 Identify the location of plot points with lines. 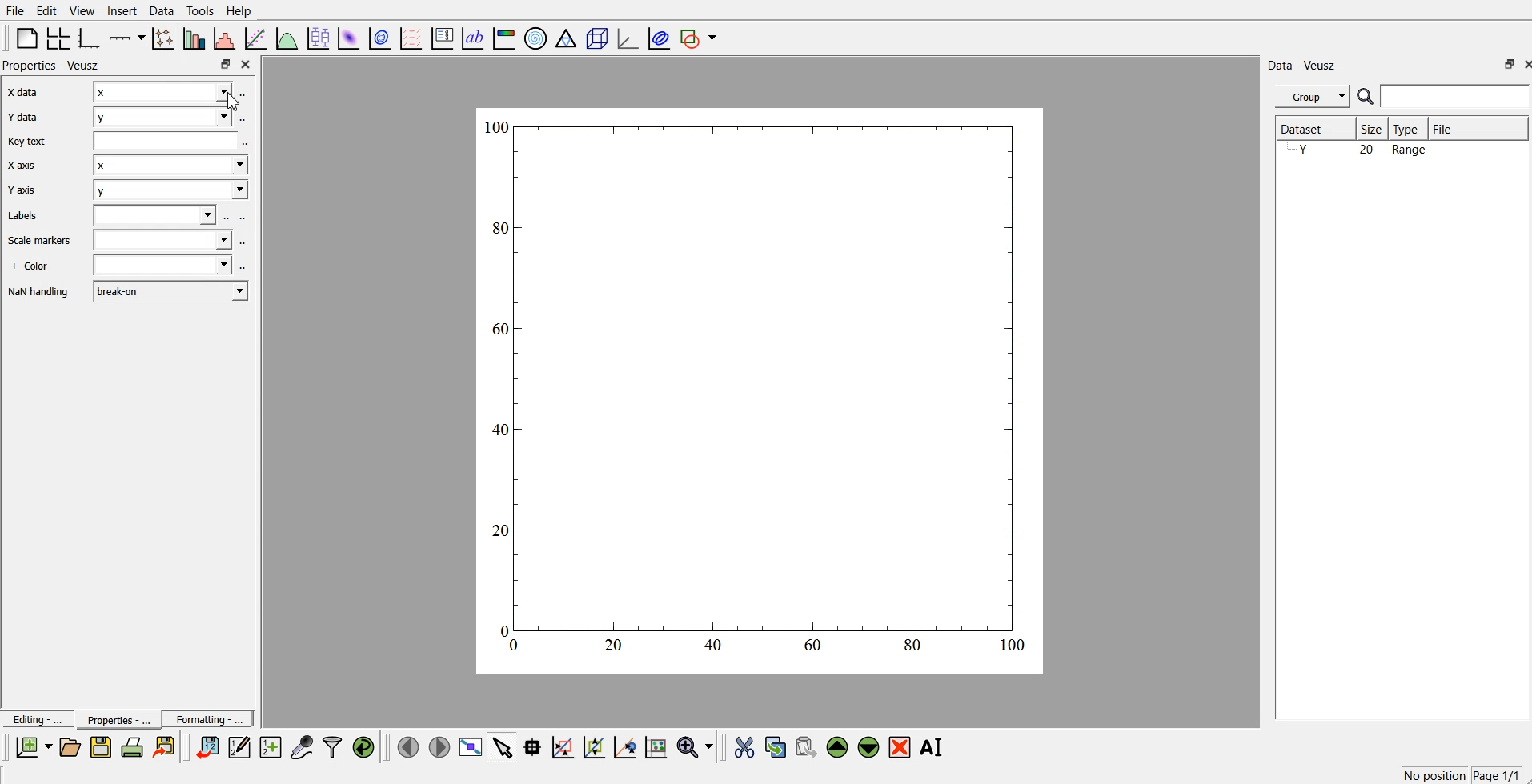
(164, 38).